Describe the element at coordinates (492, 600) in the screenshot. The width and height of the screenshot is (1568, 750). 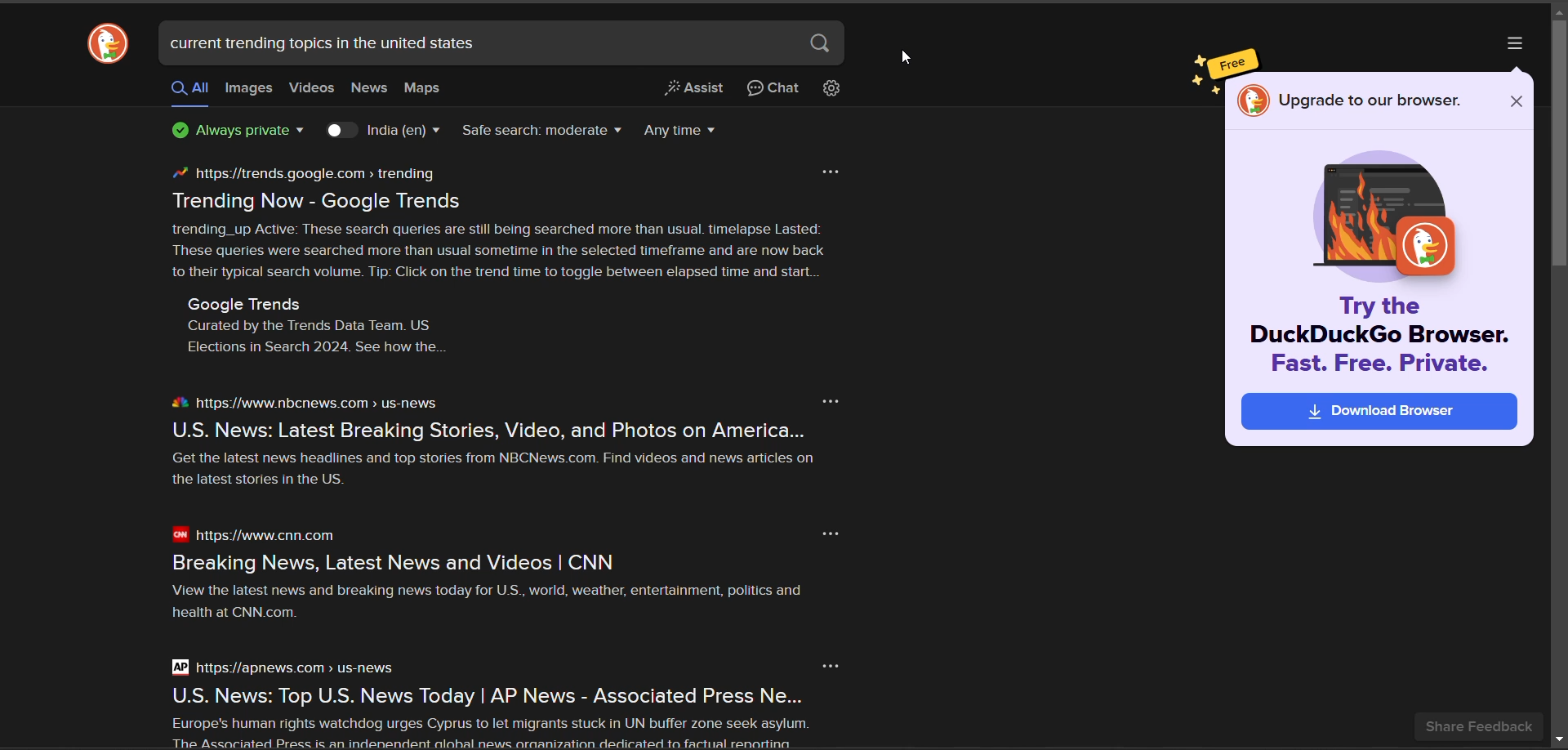
I see `View the latest news and breaking news today for U.S., world, weather, entertainment, politics and health at CNN.com.` at that location.